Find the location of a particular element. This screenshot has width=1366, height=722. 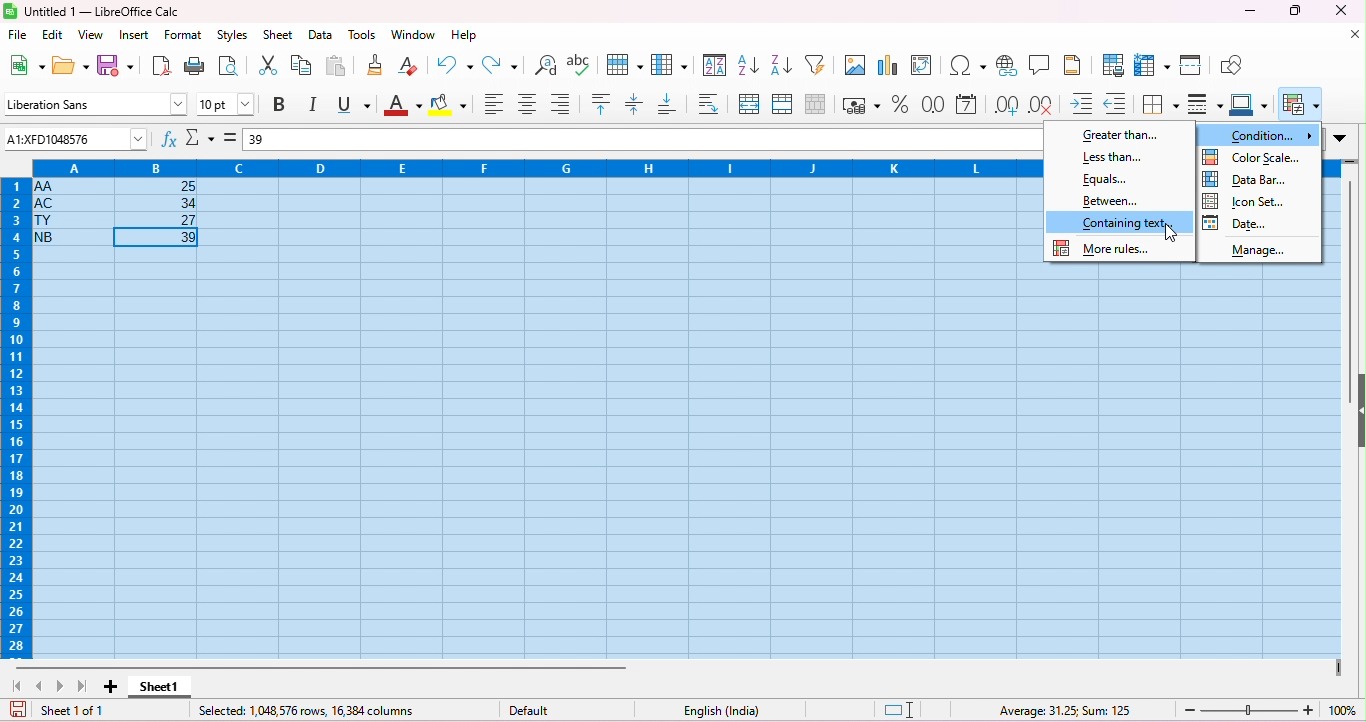

less than is located at coordinates (1123, 158).